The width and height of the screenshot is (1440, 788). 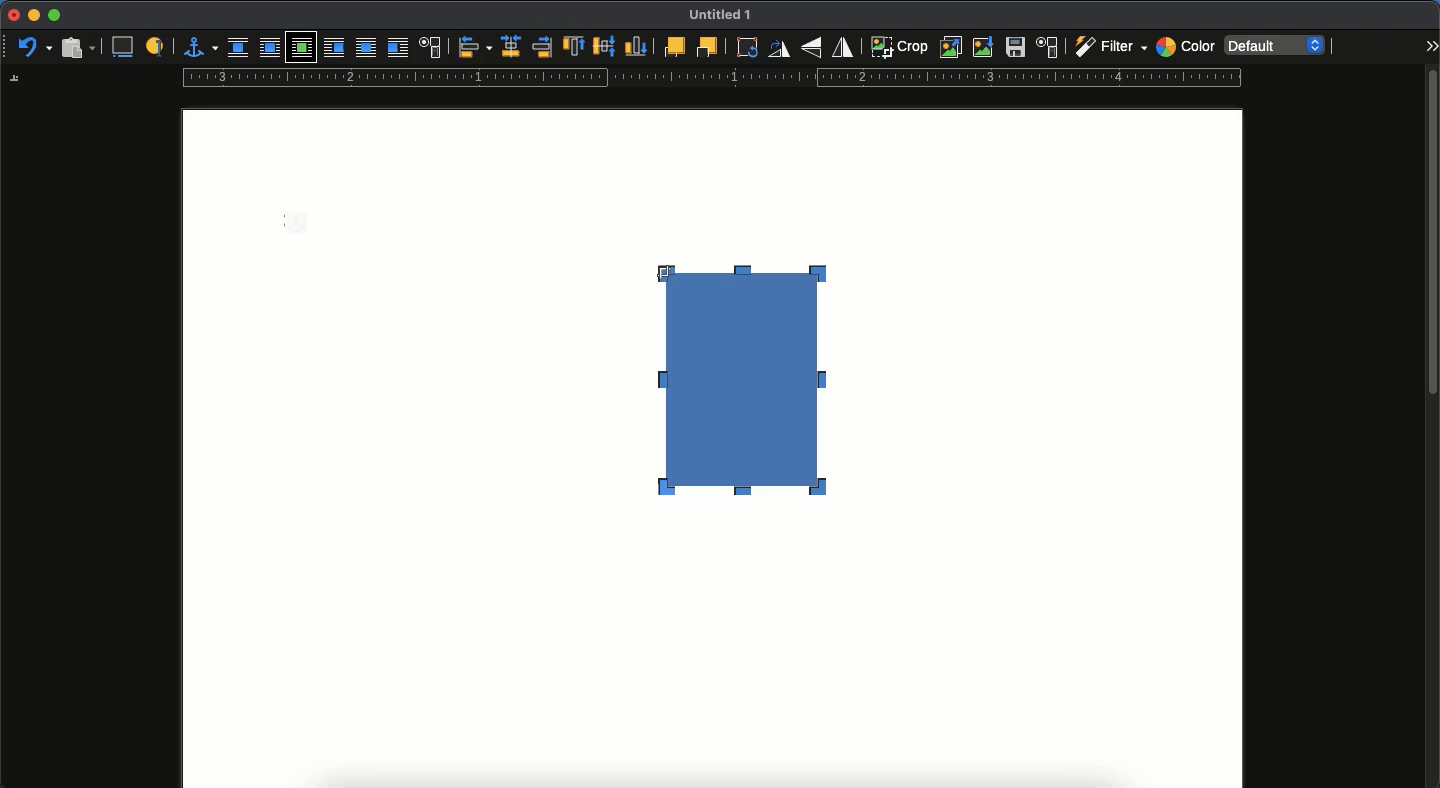 I want to click on page, so click(x=712, y=657).